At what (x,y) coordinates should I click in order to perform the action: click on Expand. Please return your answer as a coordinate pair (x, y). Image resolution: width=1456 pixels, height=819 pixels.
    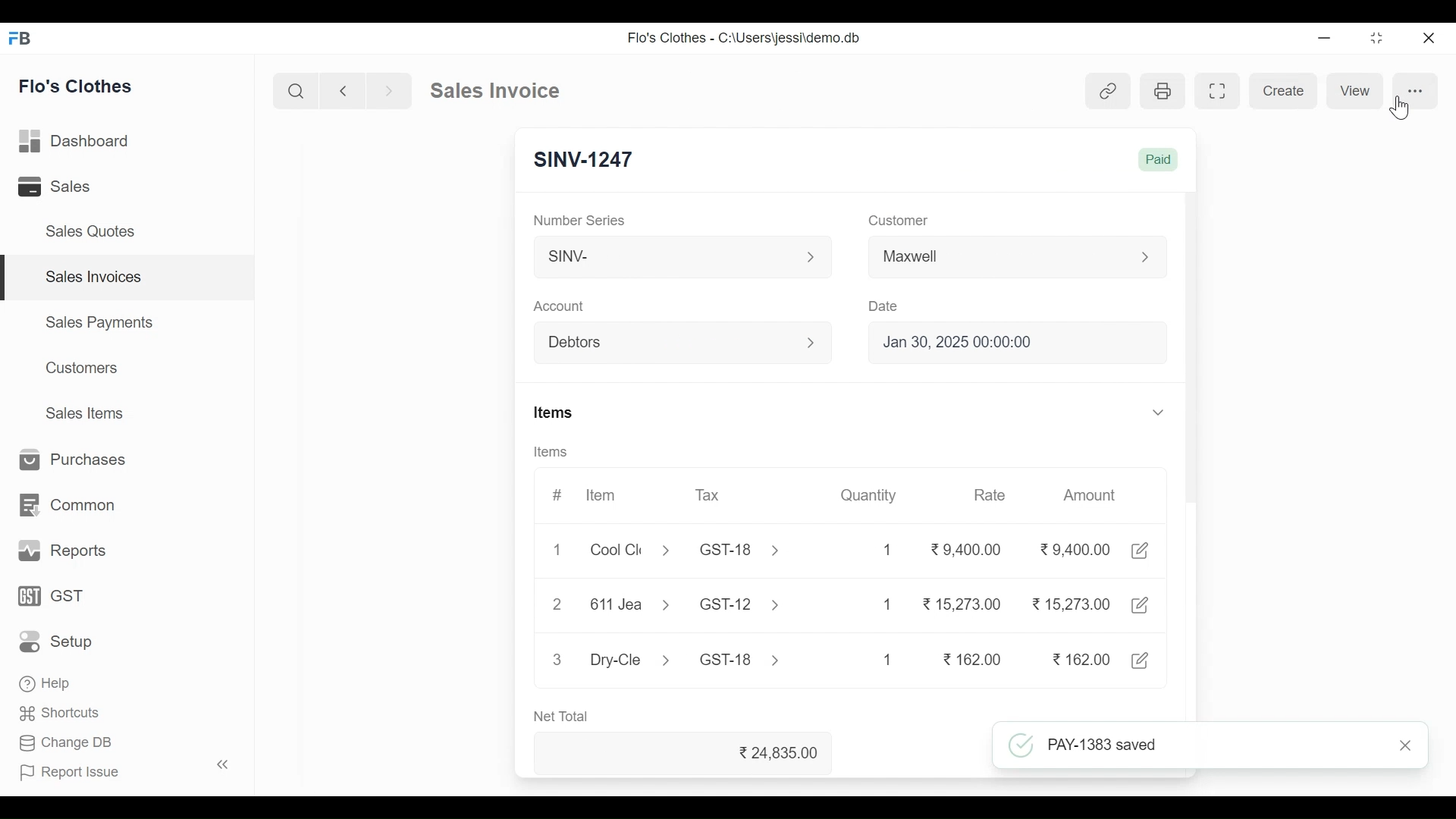
    Looking at the image, I should click on (812, 257).